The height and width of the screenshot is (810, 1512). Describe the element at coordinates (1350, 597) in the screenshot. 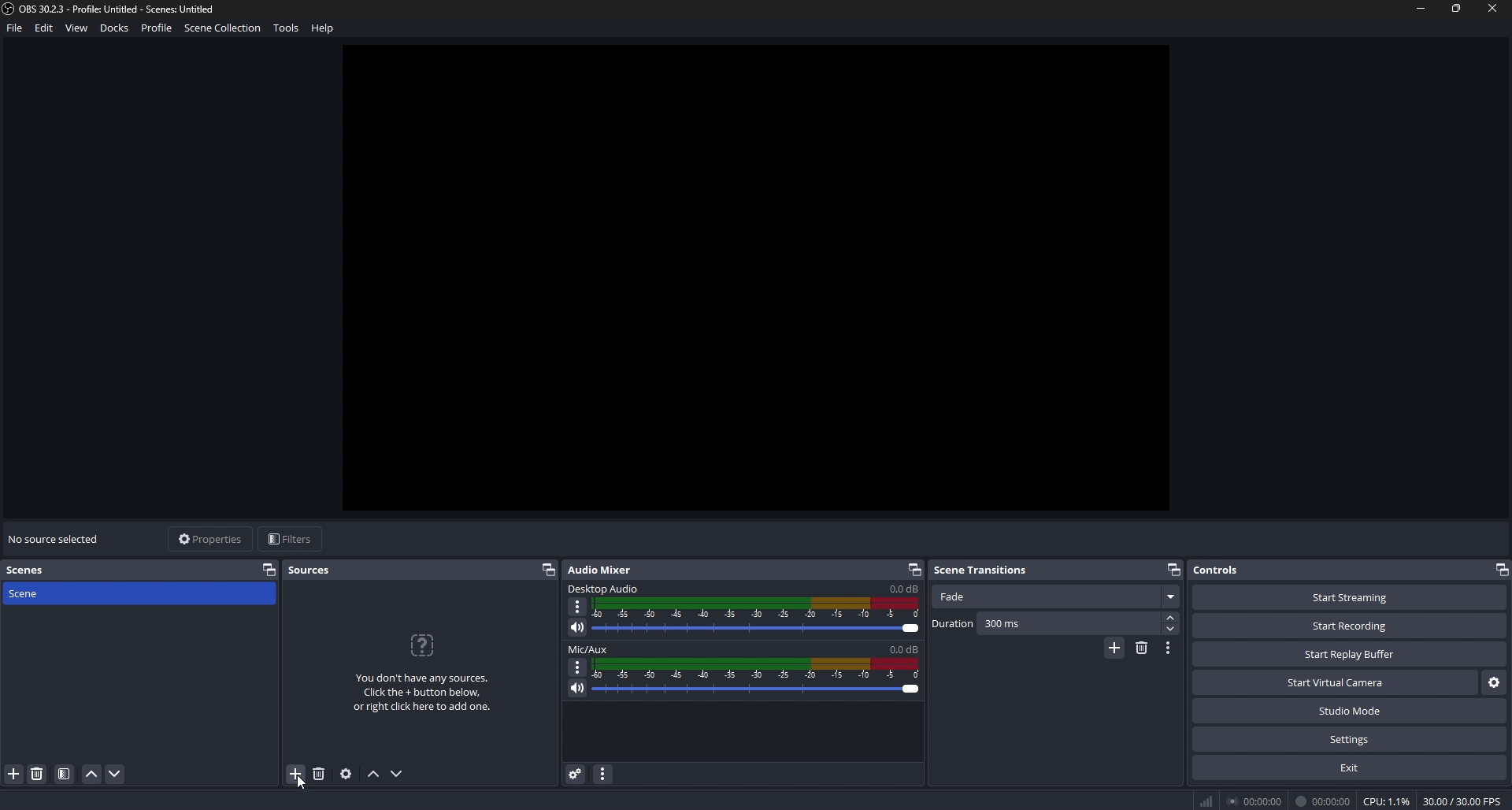

I see `start streaming` at that location.